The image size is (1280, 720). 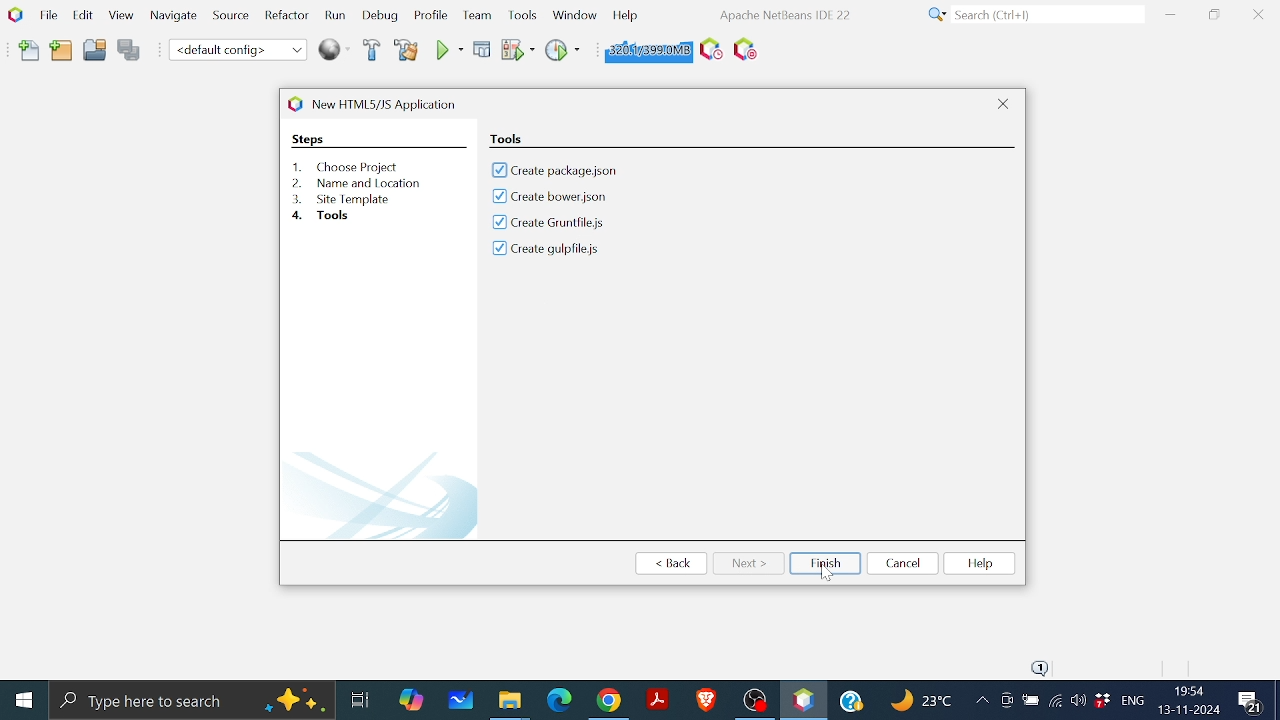 I want to click on steps, so click(x=308, y=139).